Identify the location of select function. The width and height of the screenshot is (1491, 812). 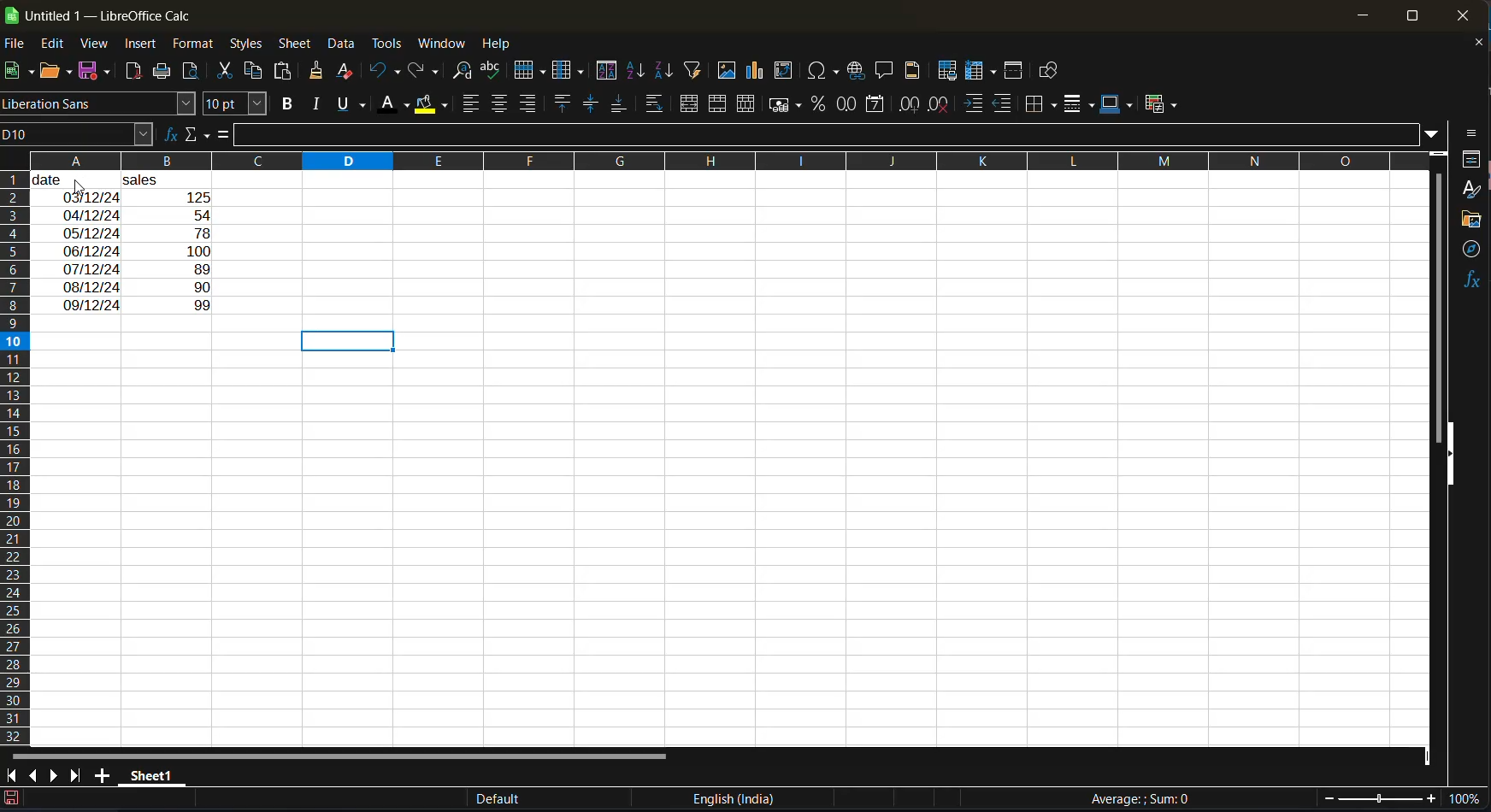
(196, 134).